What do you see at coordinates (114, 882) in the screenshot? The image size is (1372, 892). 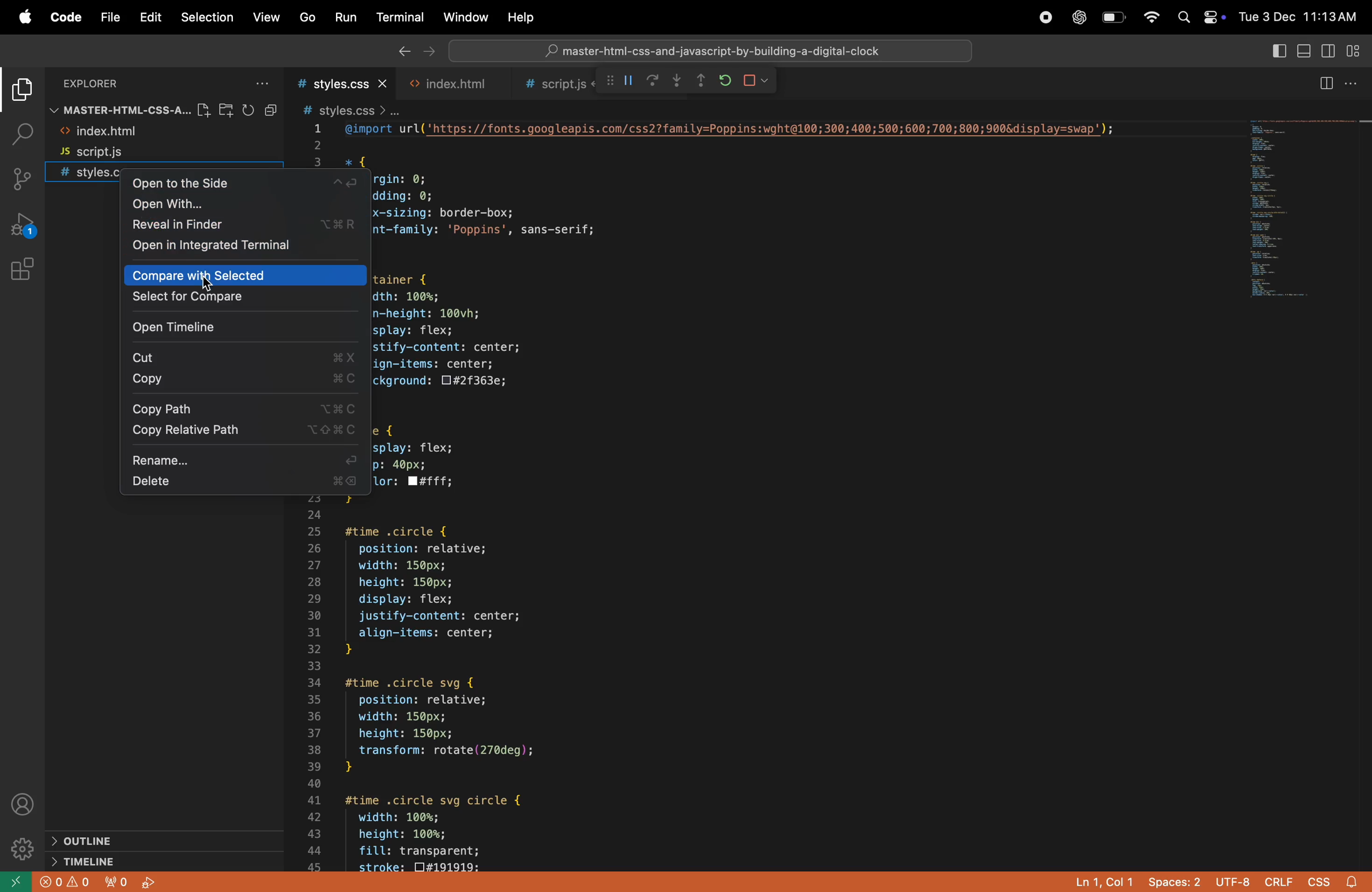 I see `no output forwarded` at bounding box center [114, 882].